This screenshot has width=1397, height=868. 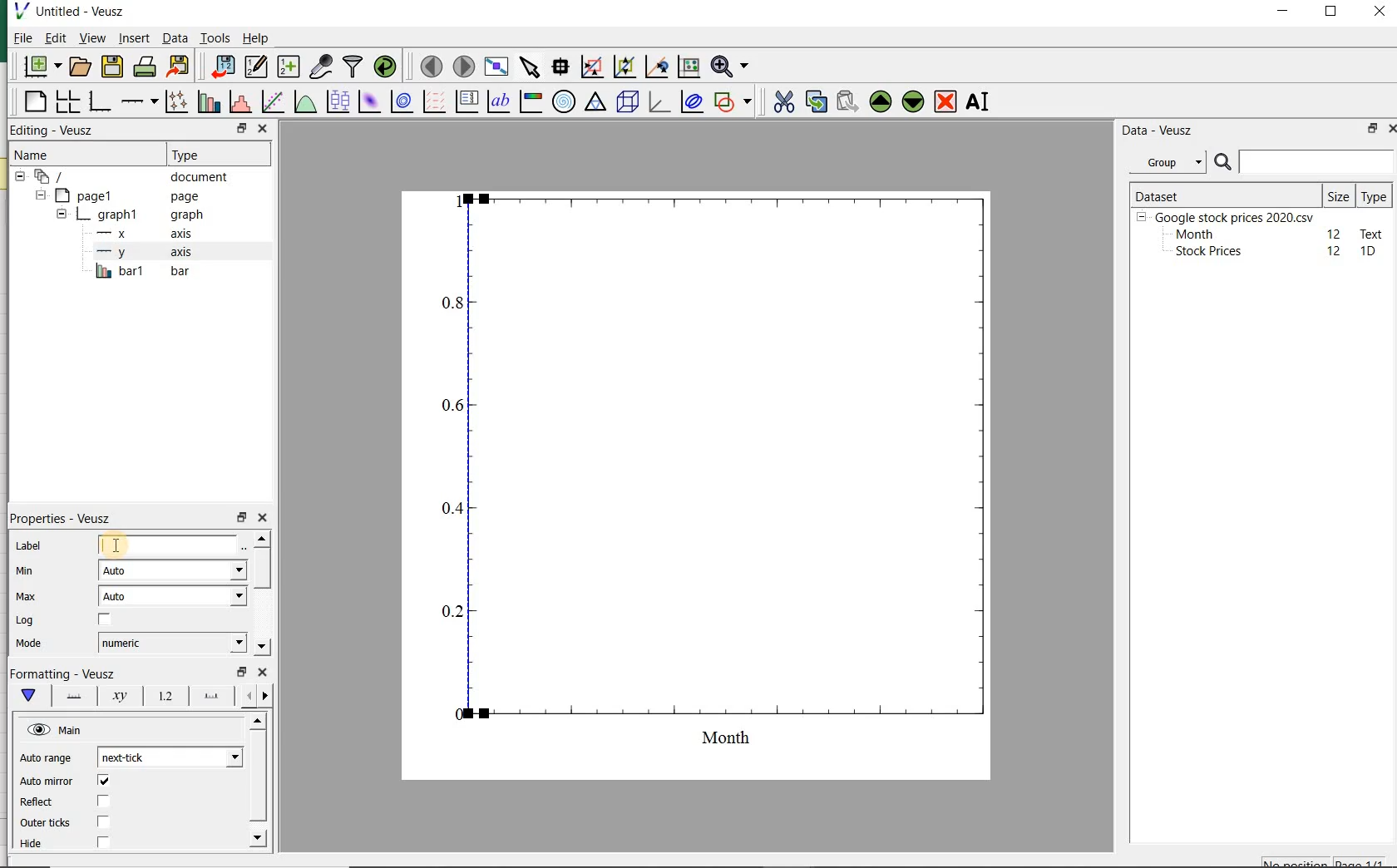 What do you see at coordinates (1380, 12) in the screenshot?
I see `close` at bounding box center [1380, 12].